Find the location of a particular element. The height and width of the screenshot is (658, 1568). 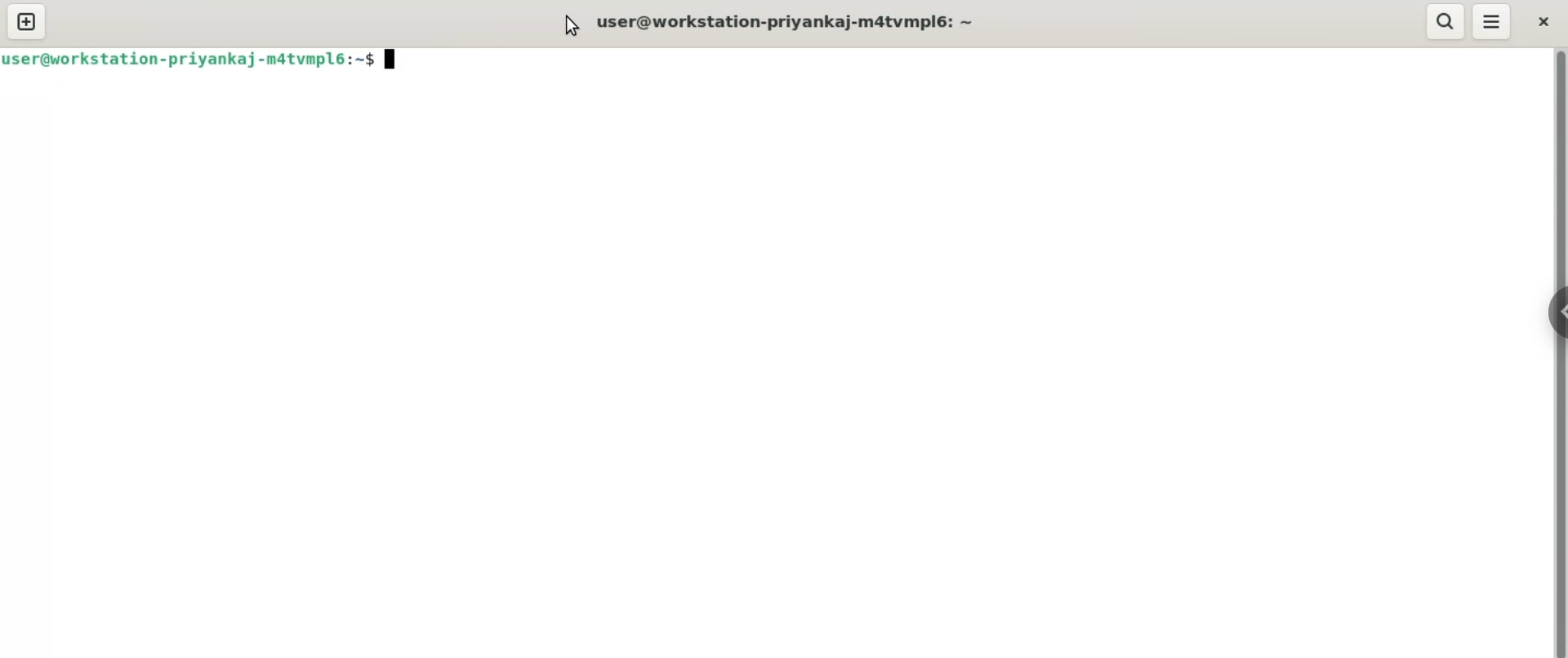

verical scroll bar is located at coordinates (1558, 351).